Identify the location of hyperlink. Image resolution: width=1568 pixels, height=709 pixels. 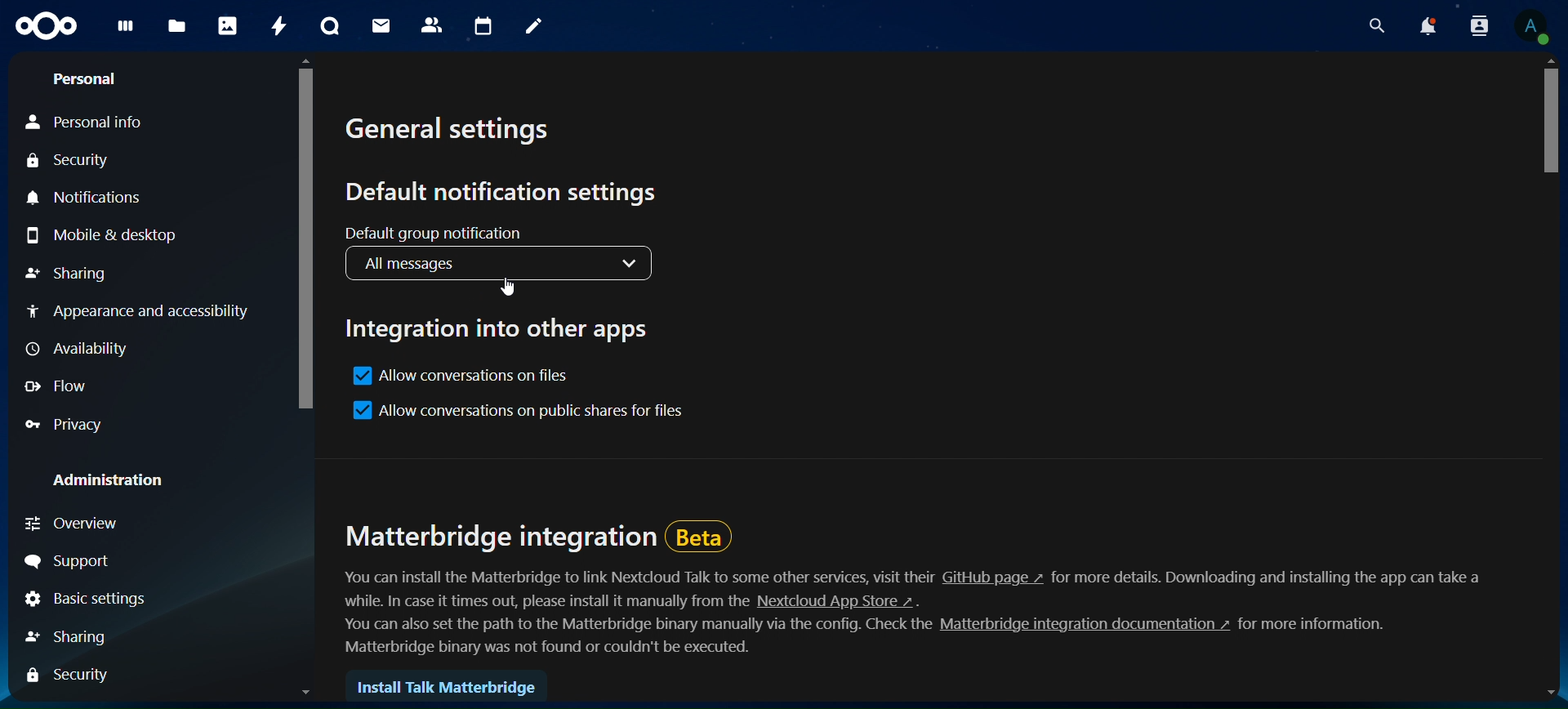
(835, 602).